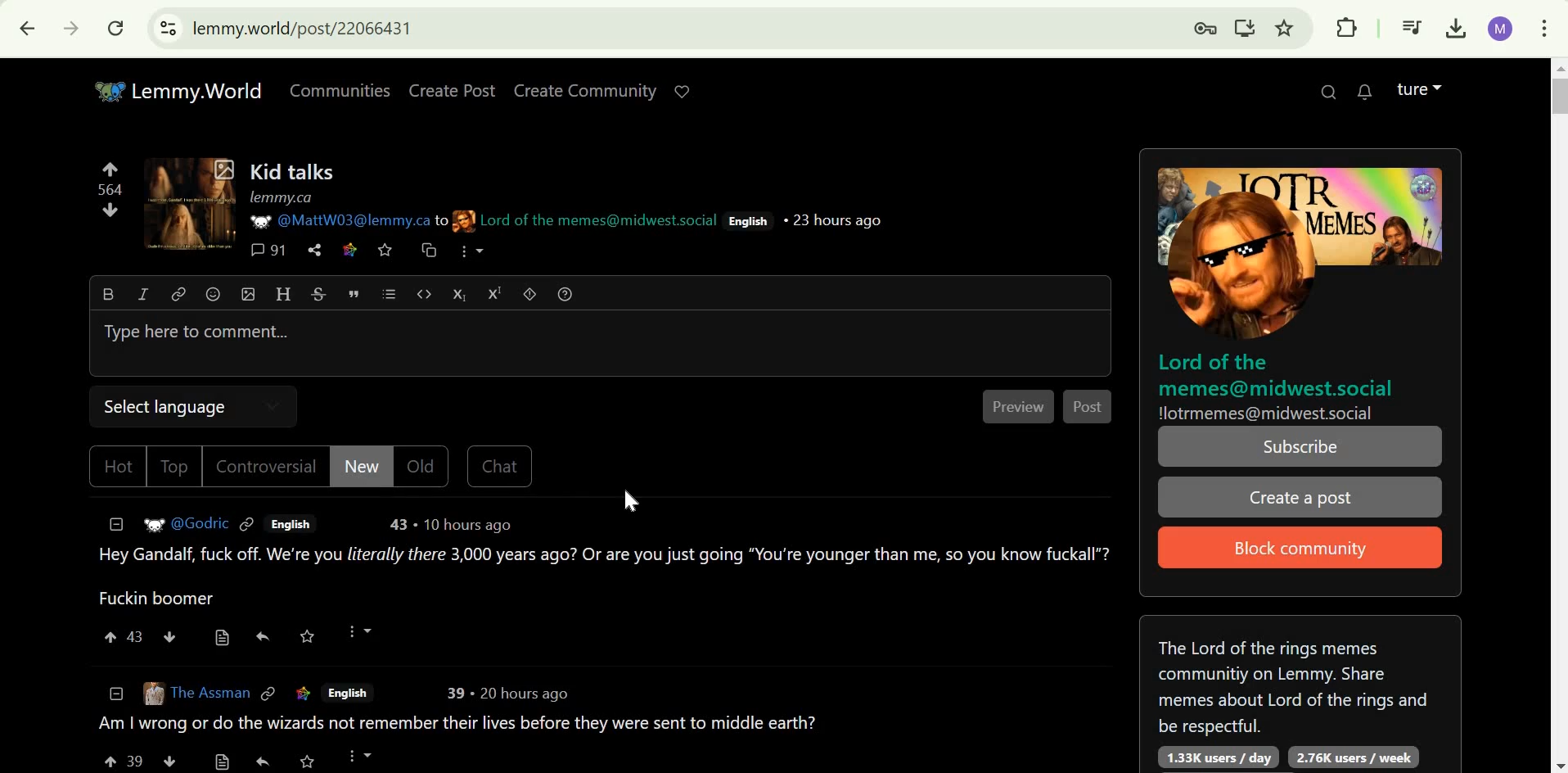 The image size is (1568, 773). What do you see at coordinates (453, 90) in the screenshot?
I see `Create Post` at bounding box center [453, 90].